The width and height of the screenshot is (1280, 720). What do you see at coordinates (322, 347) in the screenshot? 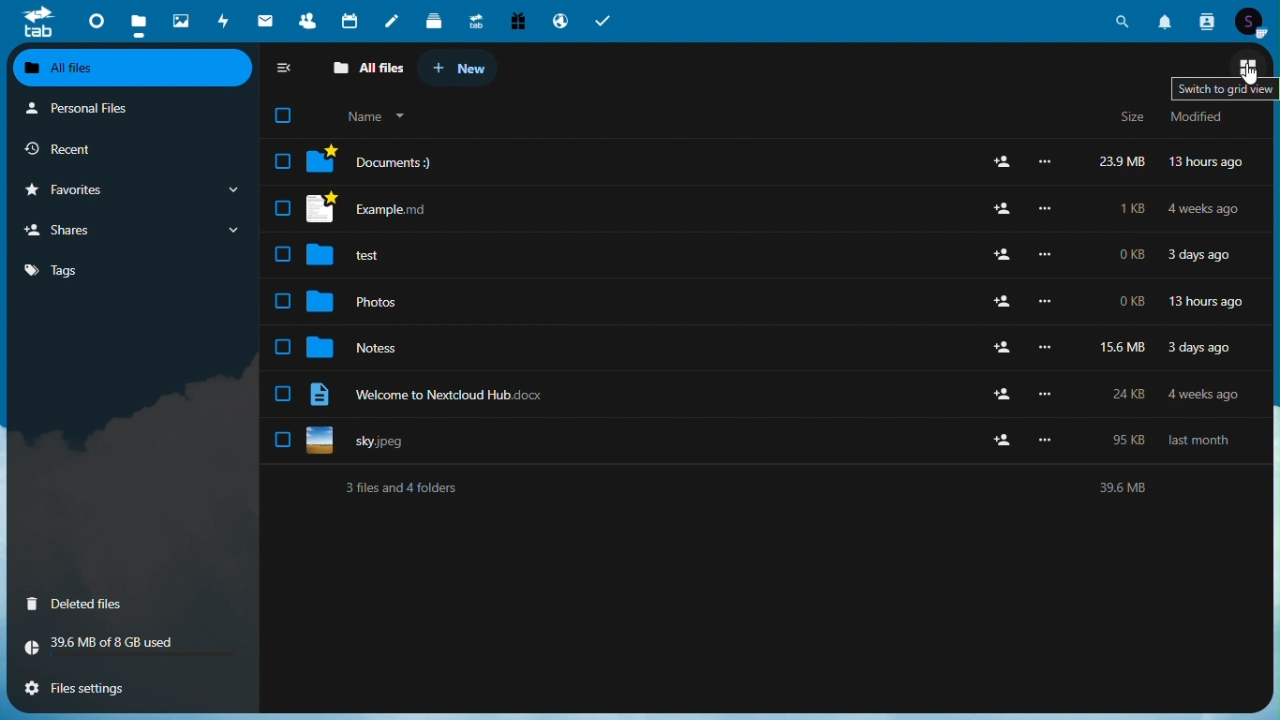
I see `folder` at bounding box center [322, 347].